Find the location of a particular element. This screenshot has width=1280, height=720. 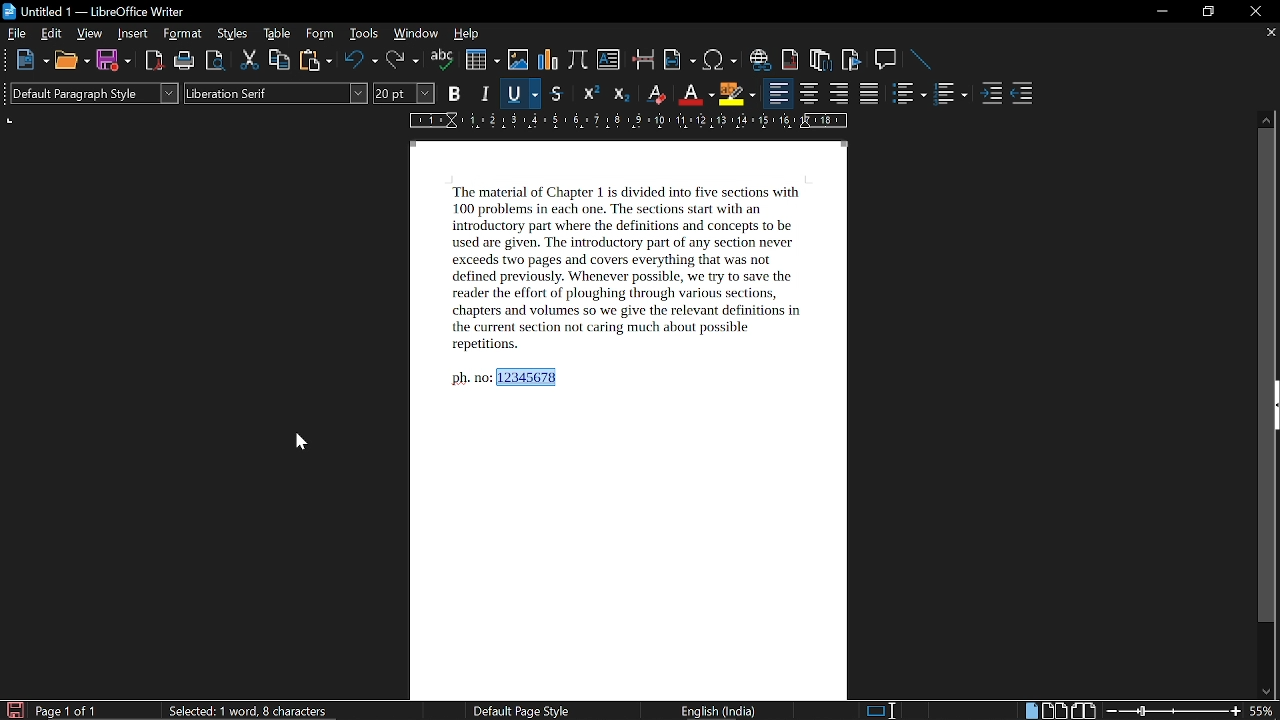

align right is located at coordinates (838, 95).